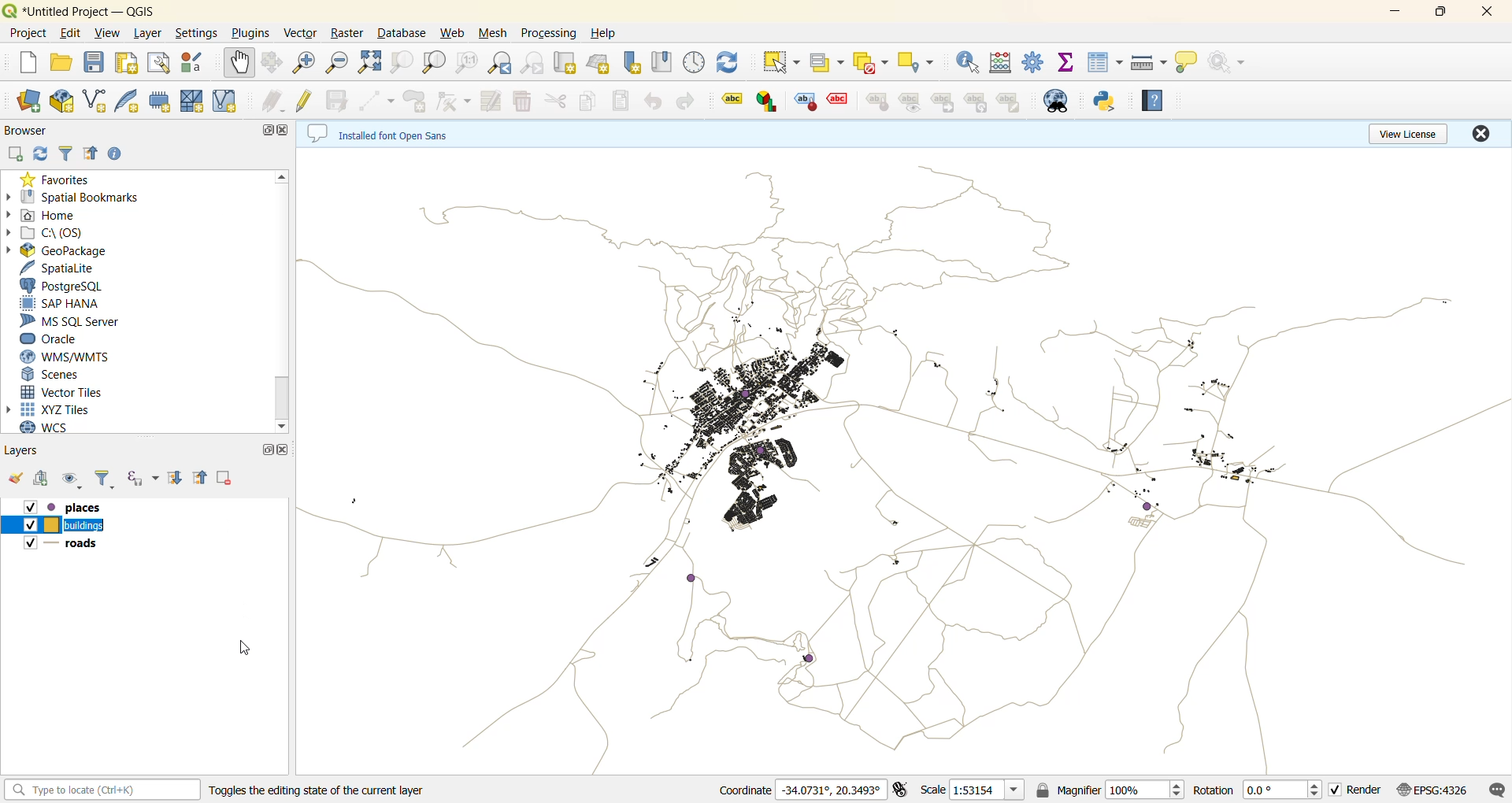 The image size is (1512, 803). What do you see at coordinates (61, 302) in the screenshot?
I see `sap  hana` at bounding box center [61, 302].